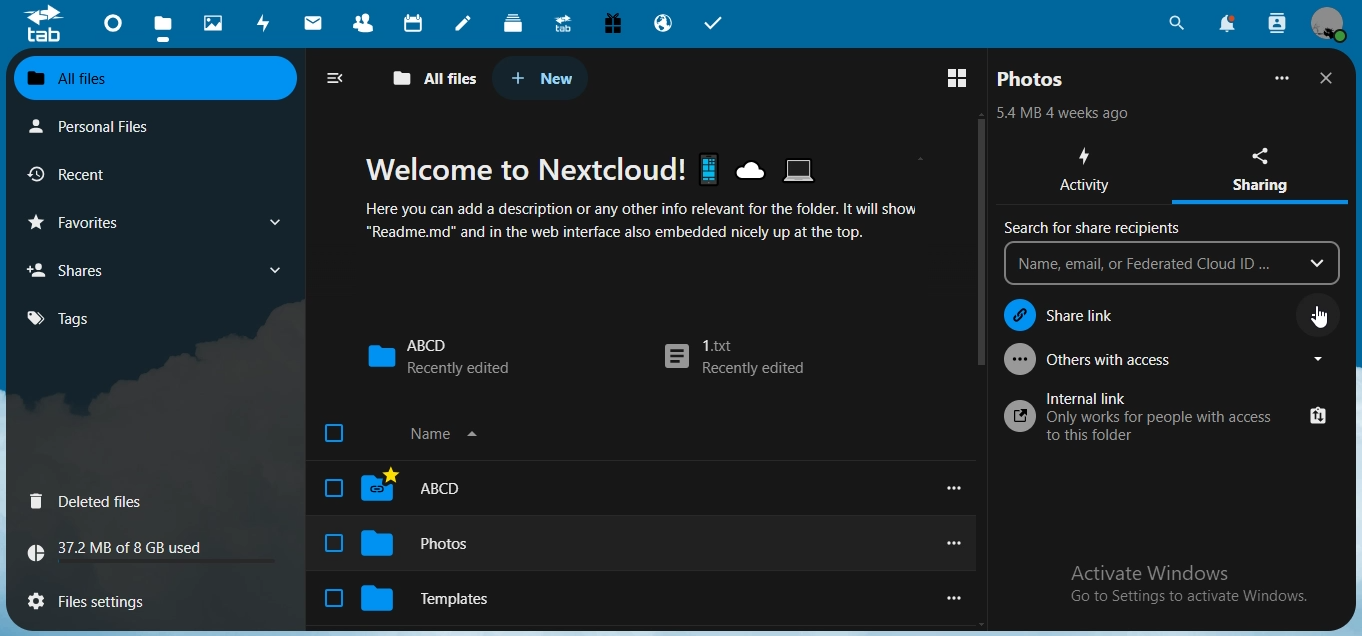 The image size is (1362, 636). What do you see at coordinates (1330, 25) in the screenshot?
I see `view profile` at bounding box center [1330, 25].